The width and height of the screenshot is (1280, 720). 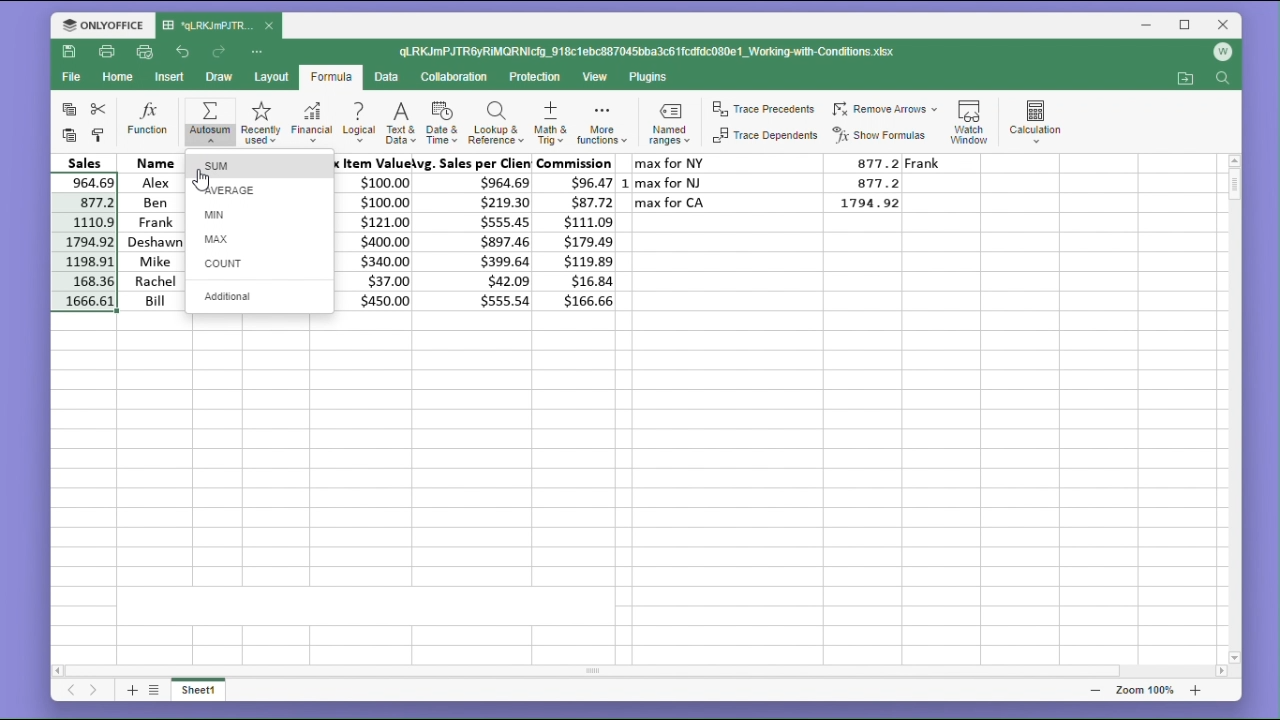 I want to click on lookup and reference, so click(x=495, y=125).